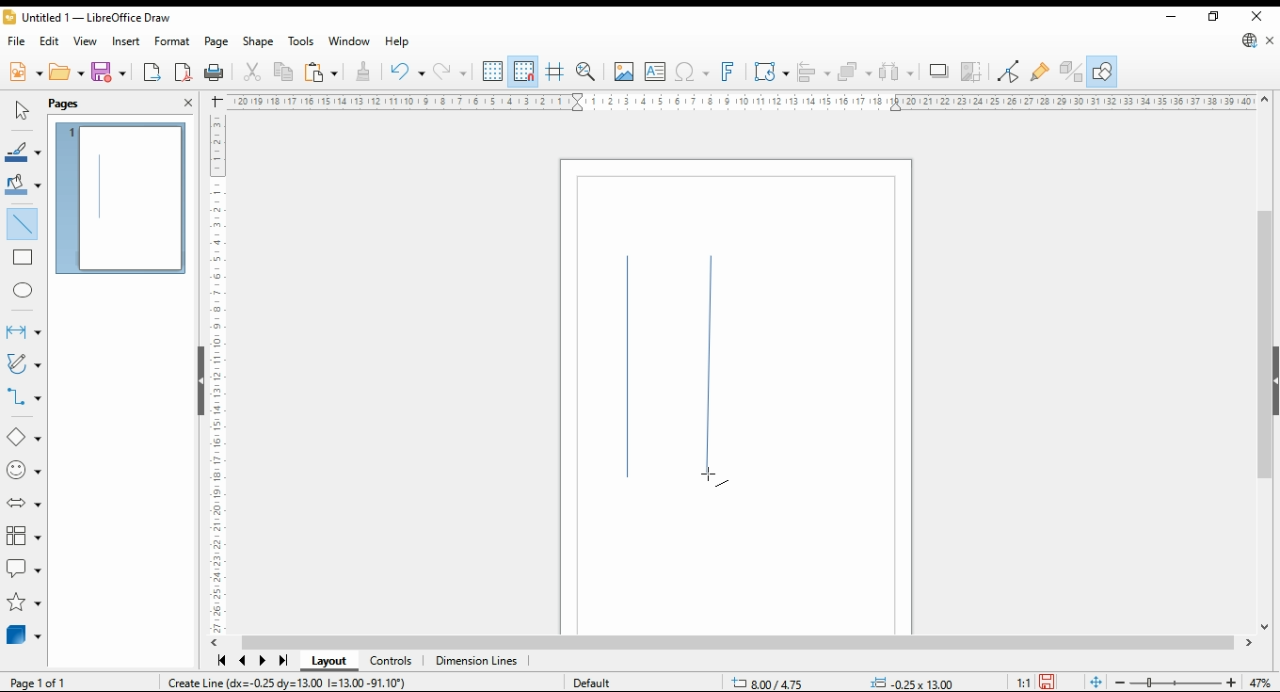 This screenshot has height=692, width=1280. What do you see at coordinates (855, 71) in the screenshot?
I see `arrange` at bounding box center [855, 71].